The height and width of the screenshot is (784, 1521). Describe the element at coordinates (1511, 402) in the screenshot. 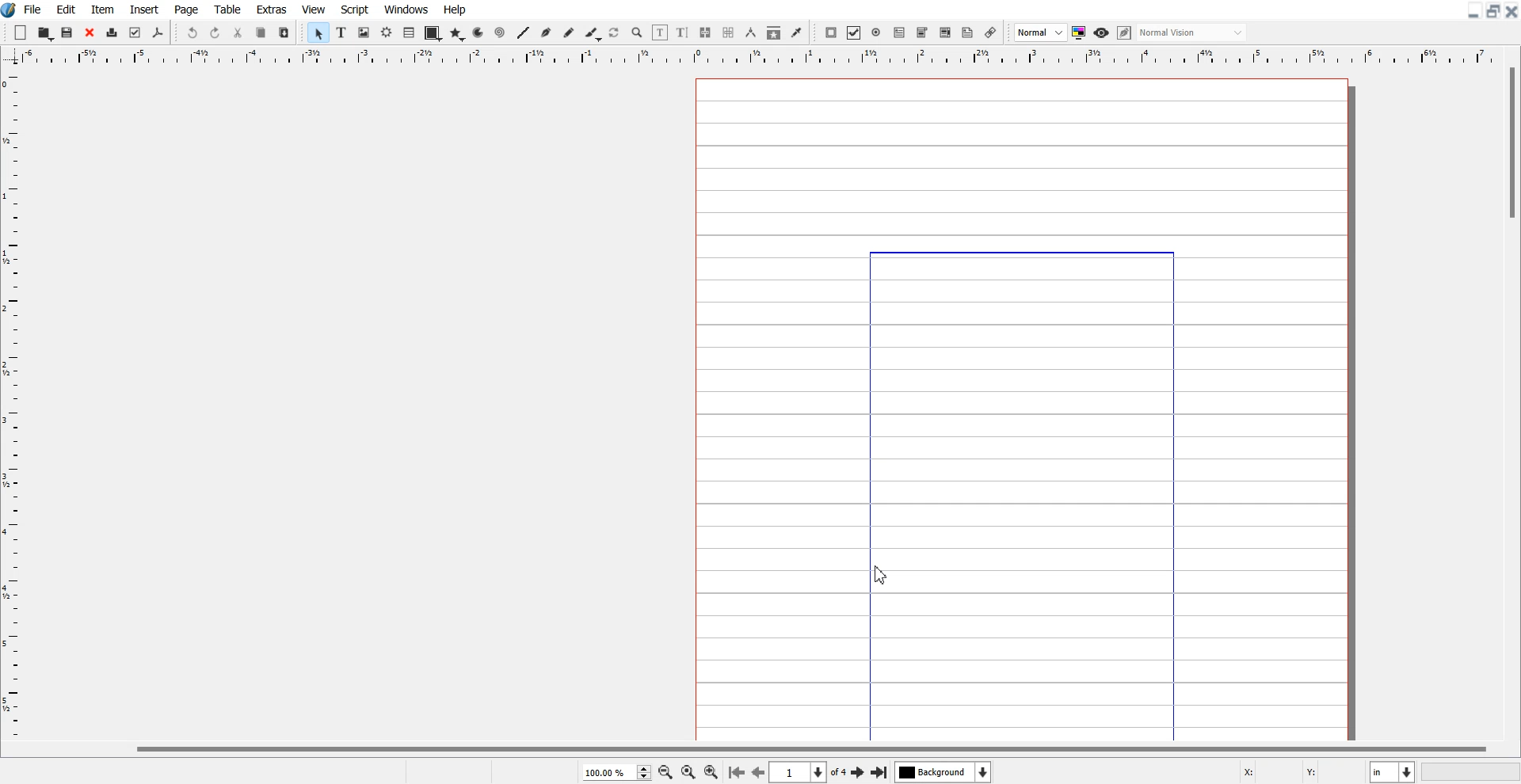

I see `Vertical Scroll bar` at that location.